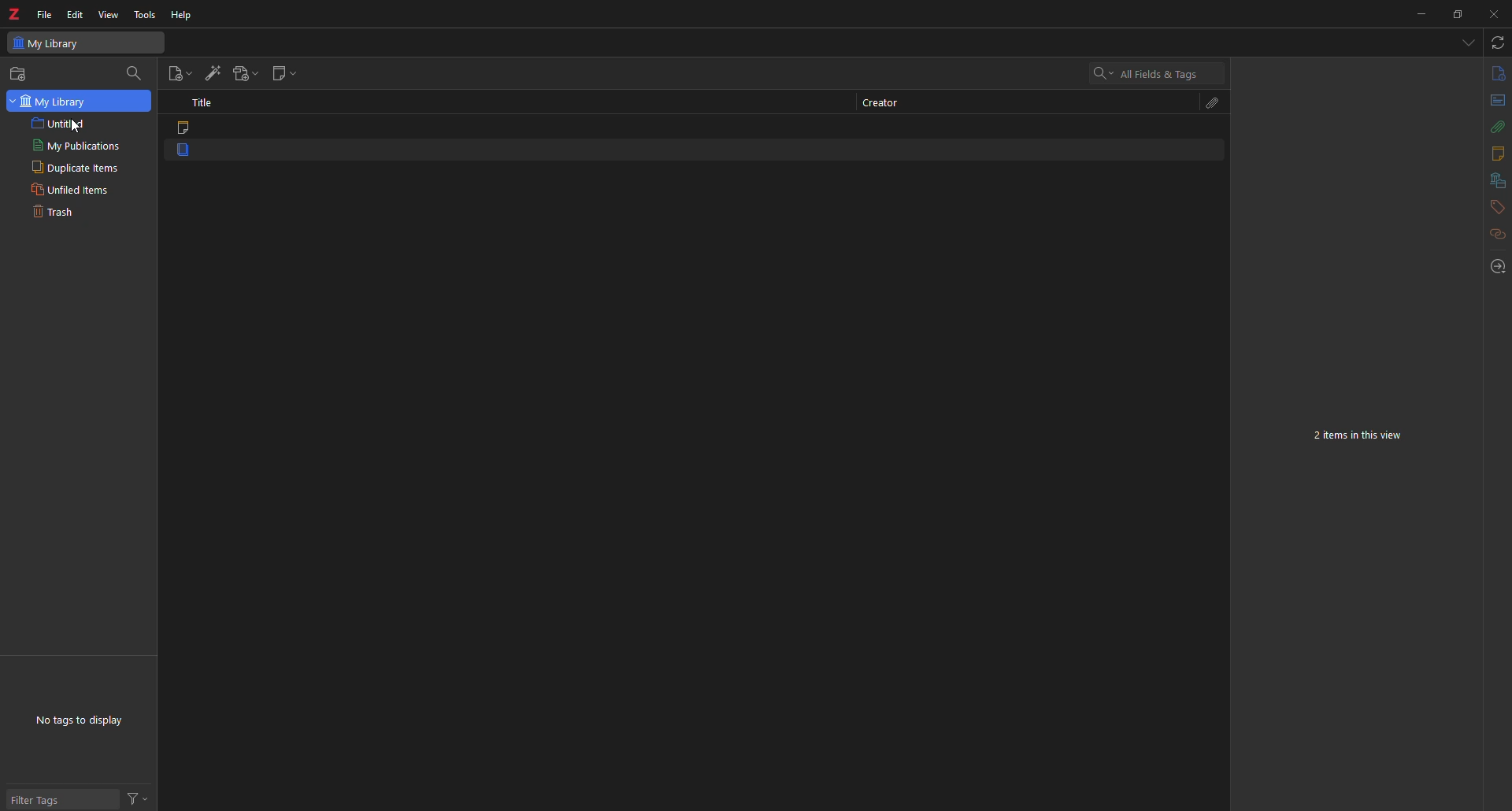 This screenshot has width=1512, height=811. I want to click on add item, so click(209, 73).